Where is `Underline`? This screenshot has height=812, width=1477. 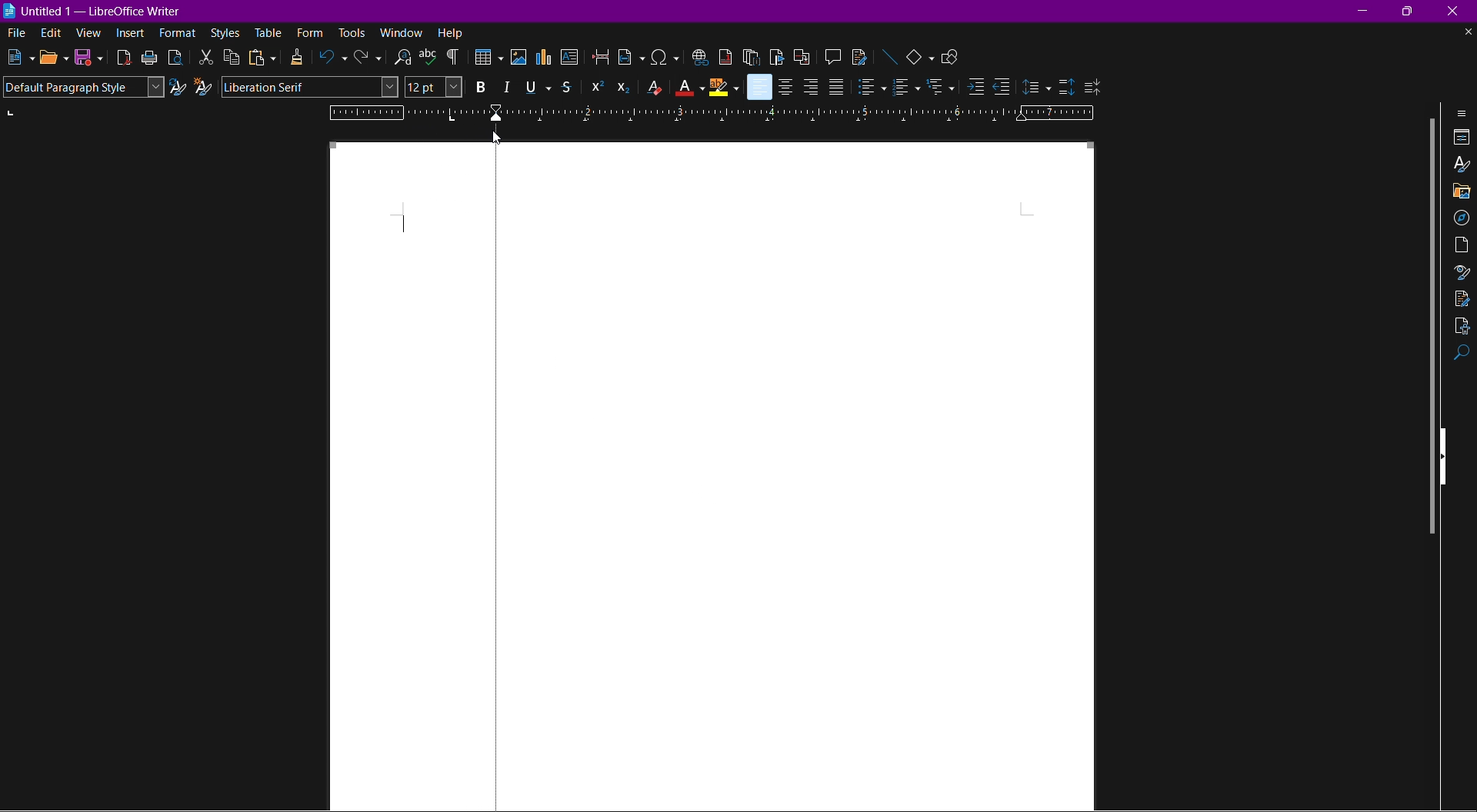 Underline is located at coordinates (537, 86).